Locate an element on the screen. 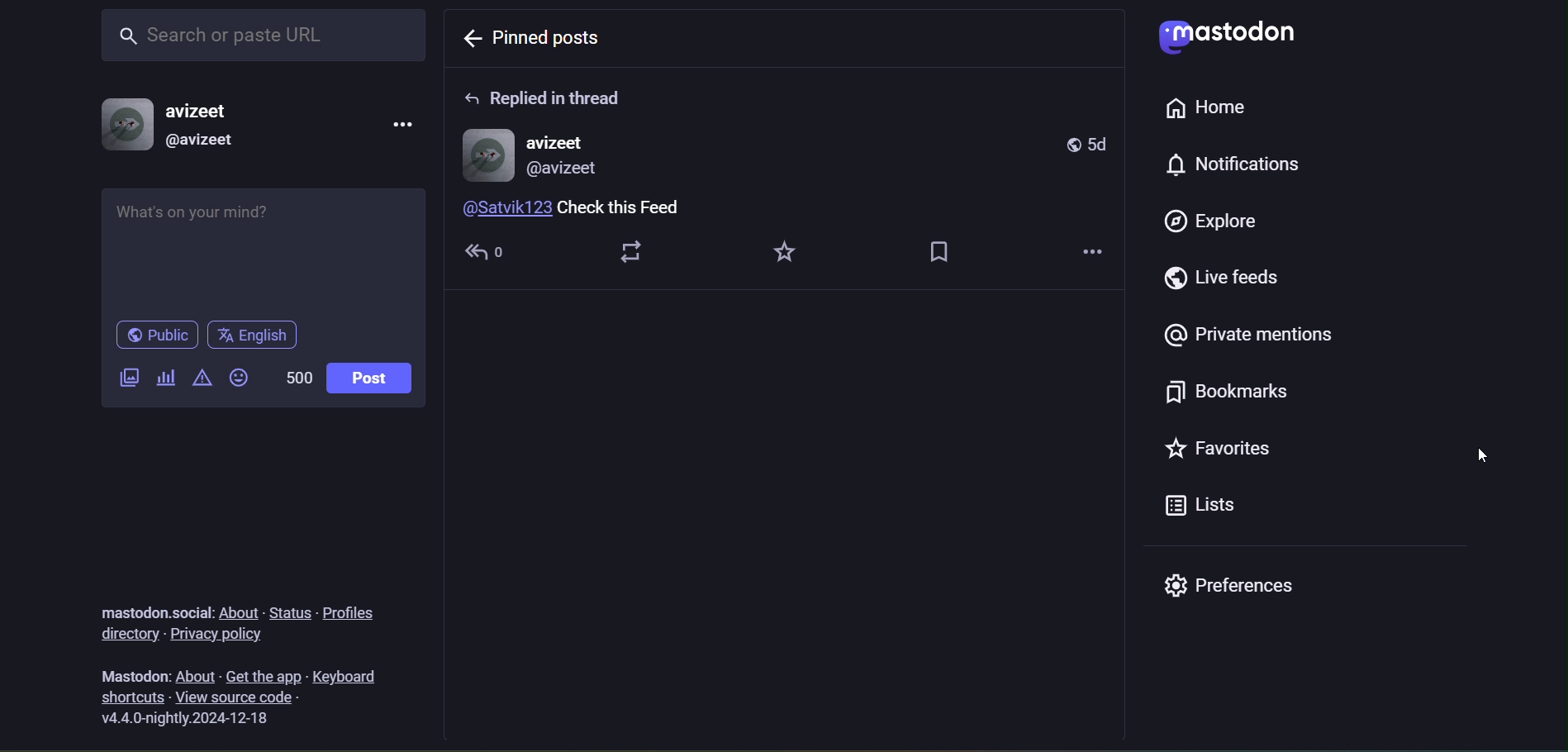 This screenshot has height=752, width=1568. private mentions is located at coordinates (1246, 337).